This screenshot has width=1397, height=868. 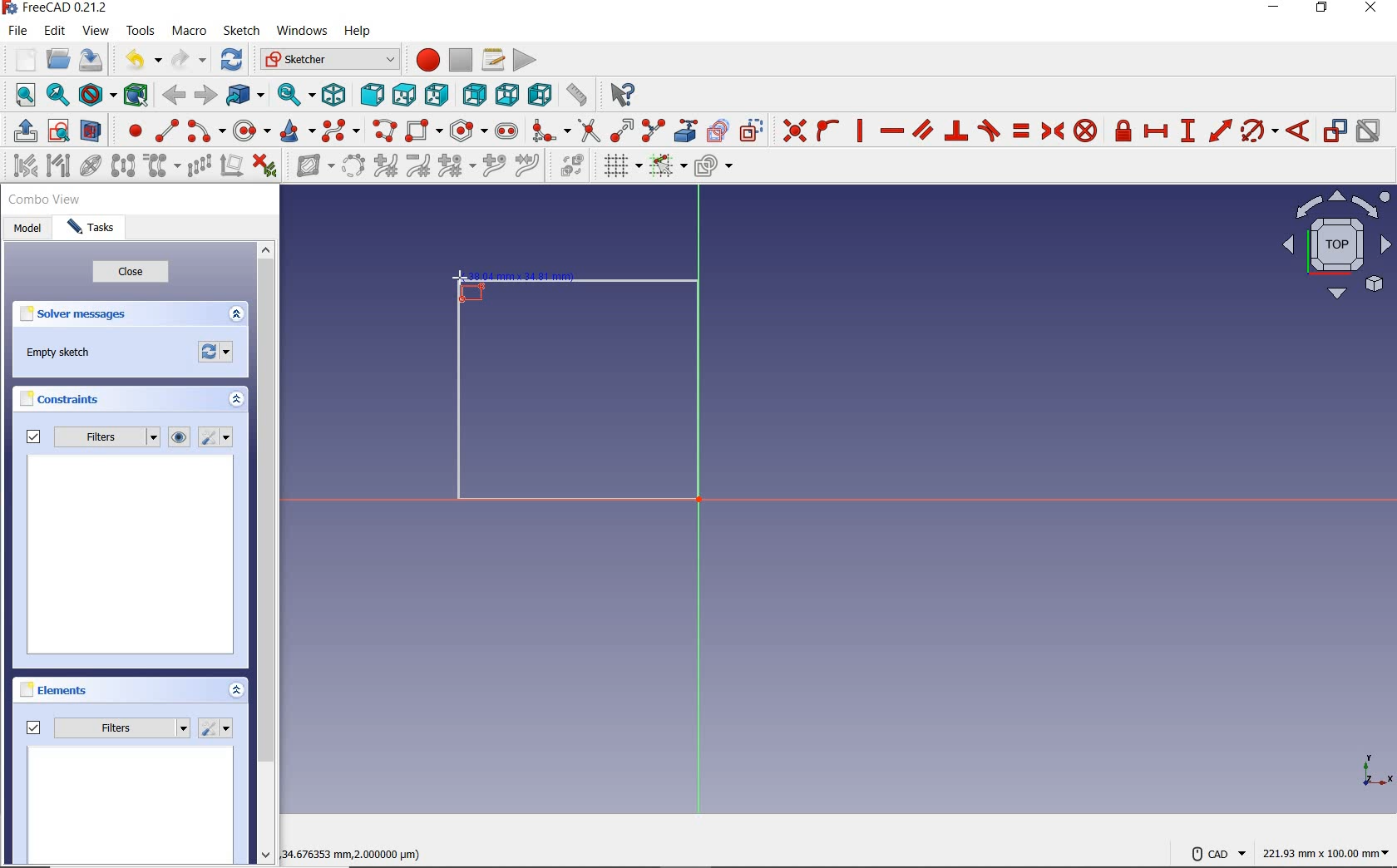 What do you see at coordinates (654, 131) in the screenshot?
I see `split edge` at bounding box center [654, 131].